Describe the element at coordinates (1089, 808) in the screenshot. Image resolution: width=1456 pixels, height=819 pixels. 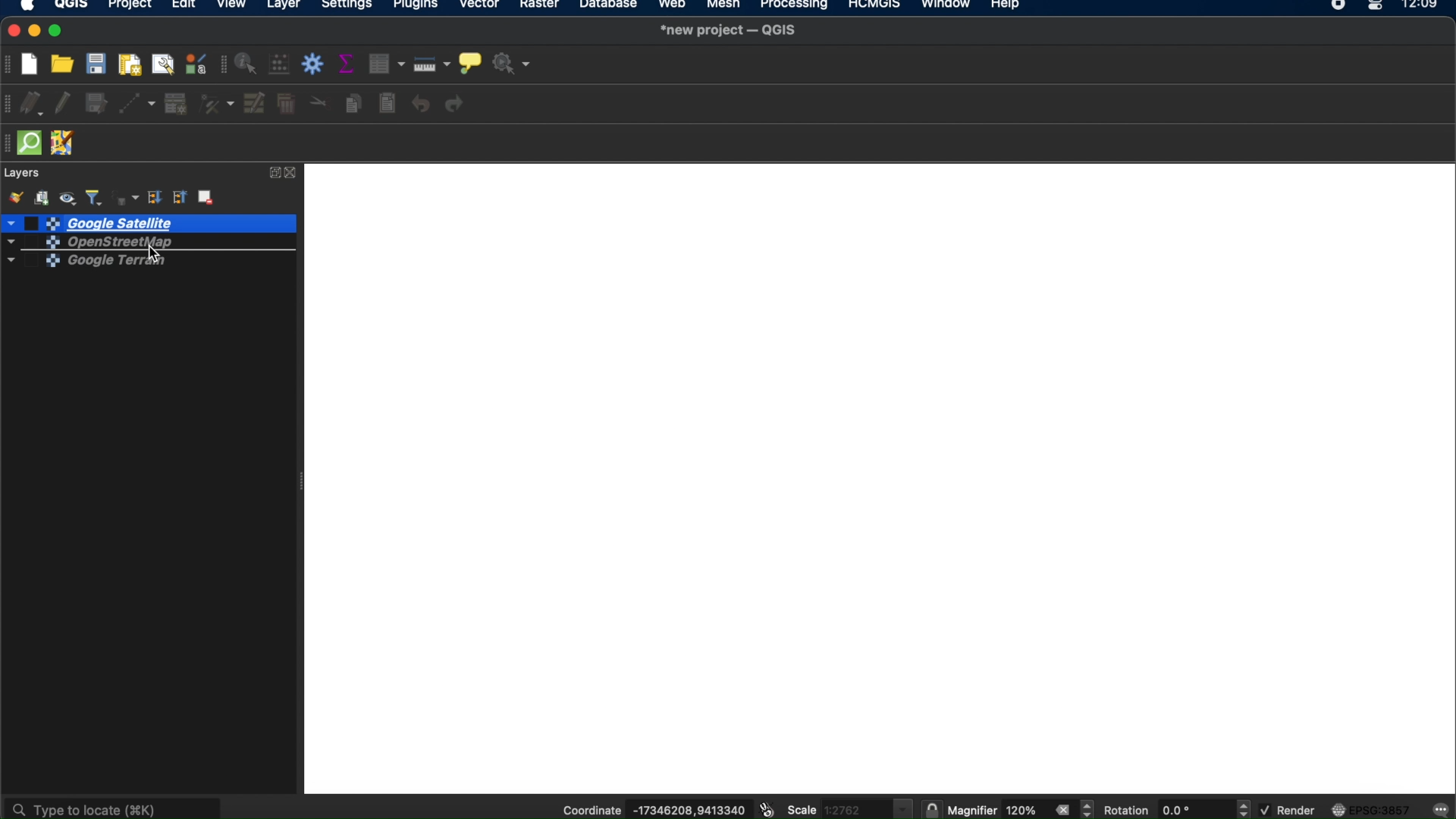
I see `magnifier increment decrement` at that location.